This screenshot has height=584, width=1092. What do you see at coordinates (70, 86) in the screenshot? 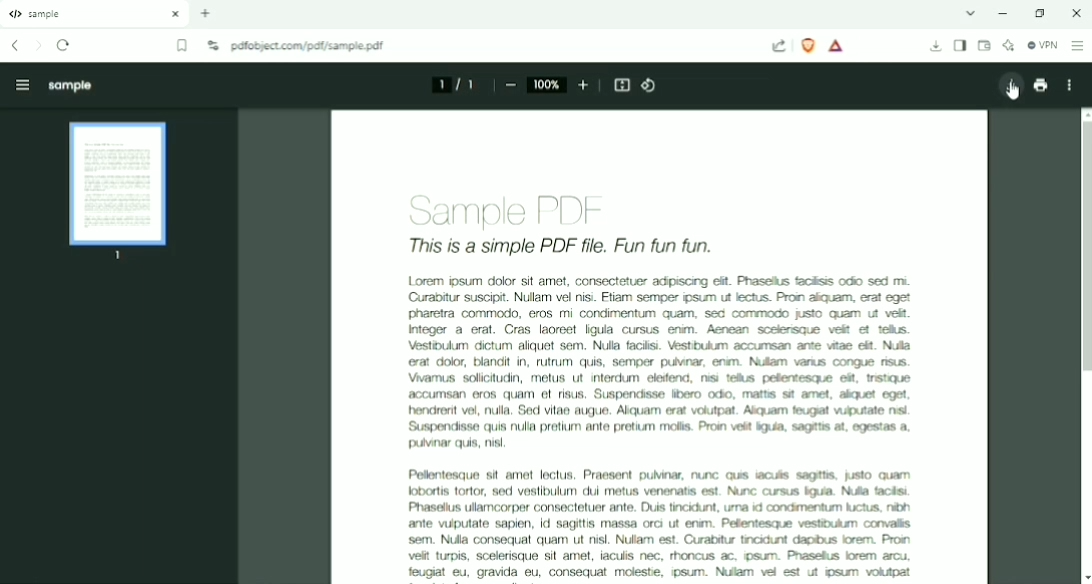
I see `Sample` at bounding box center [70, 86].